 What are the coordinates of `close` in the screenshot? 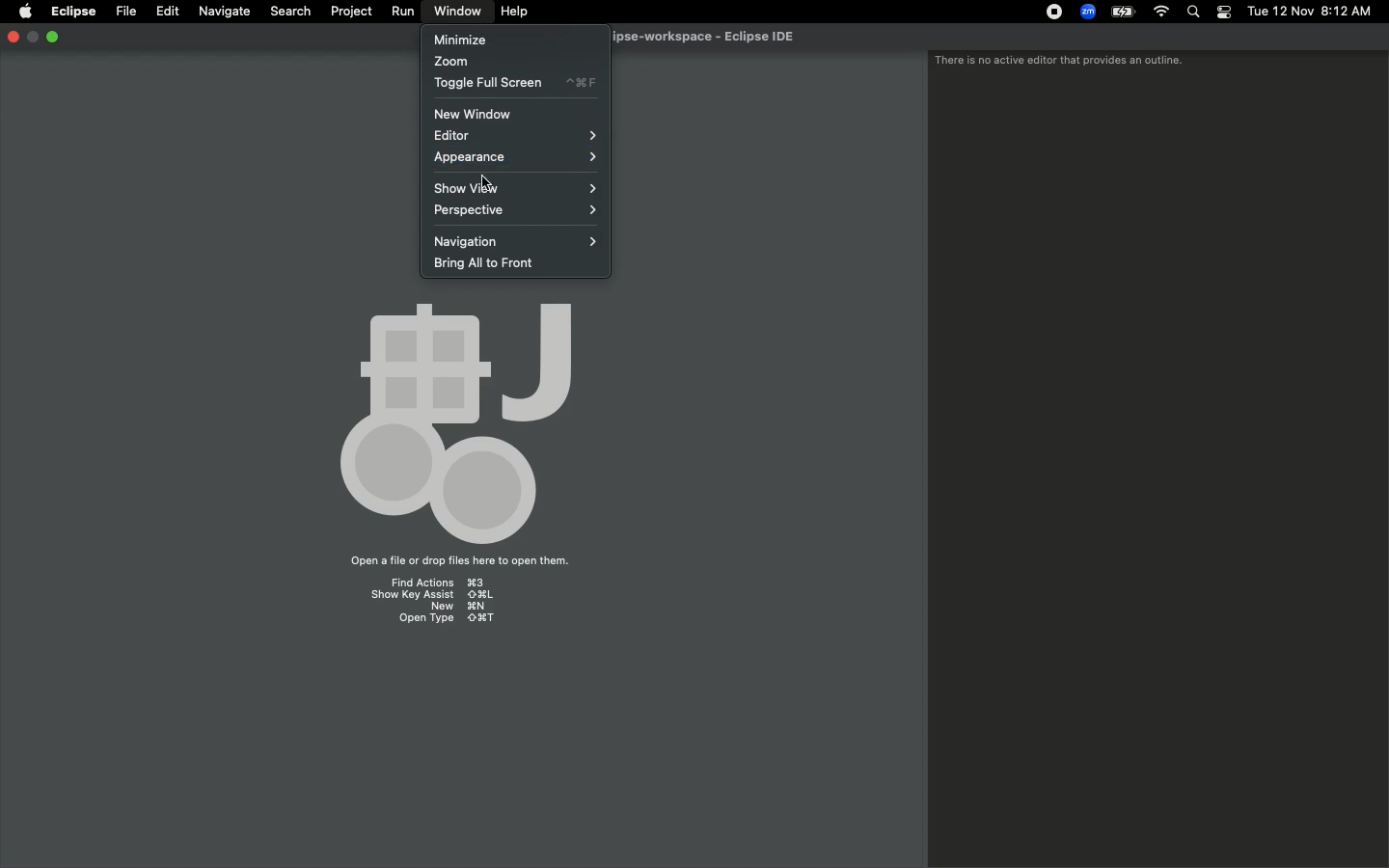 It's located at (13, 39).